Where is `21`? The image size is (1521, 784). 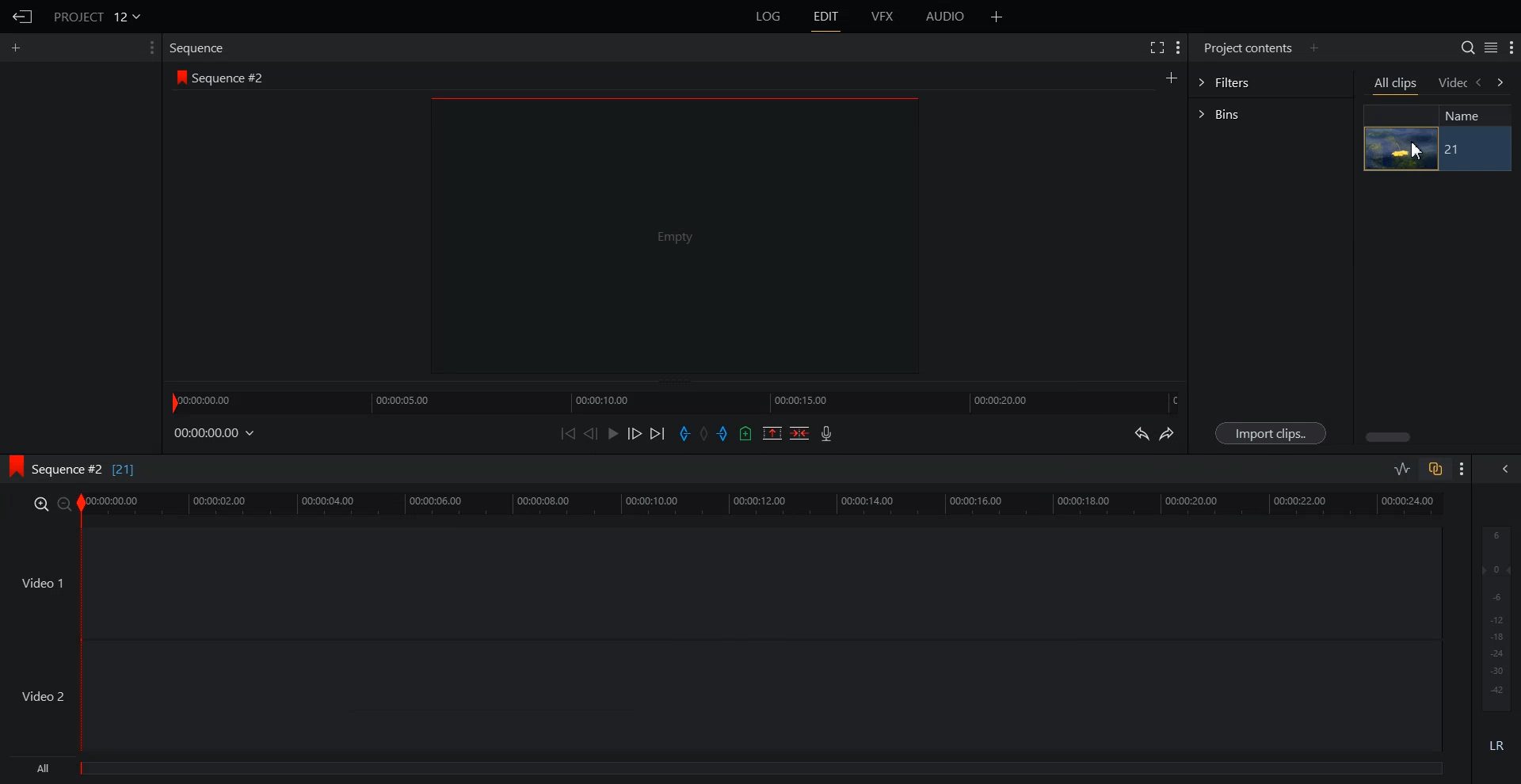 21 is located at coordinates (1473, 150).